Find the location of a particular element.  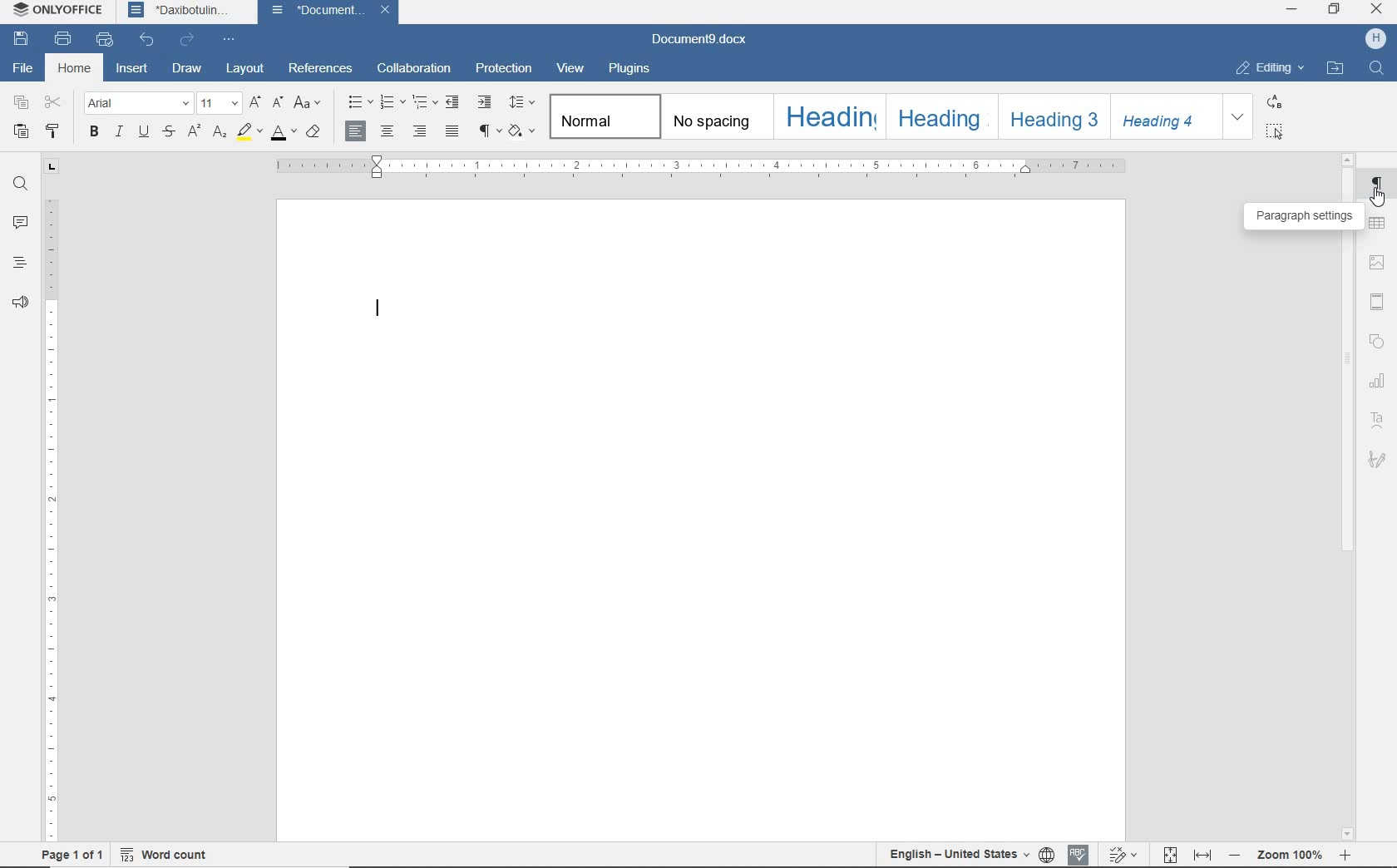

Document9.docx is located at coordinates (698, 40).